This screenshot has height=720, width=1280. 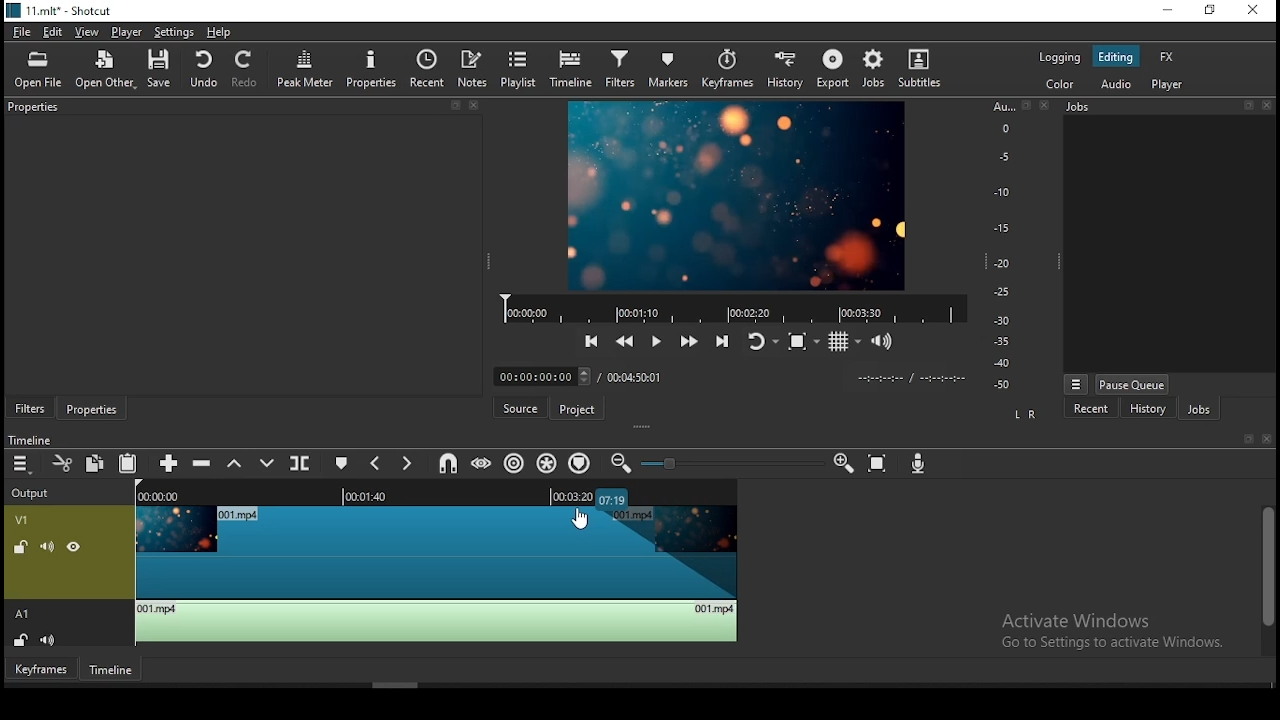 What do you see at coordinates (921, 73) in the screenshot?
I see `subtitles` at bounding box center [921, 73].